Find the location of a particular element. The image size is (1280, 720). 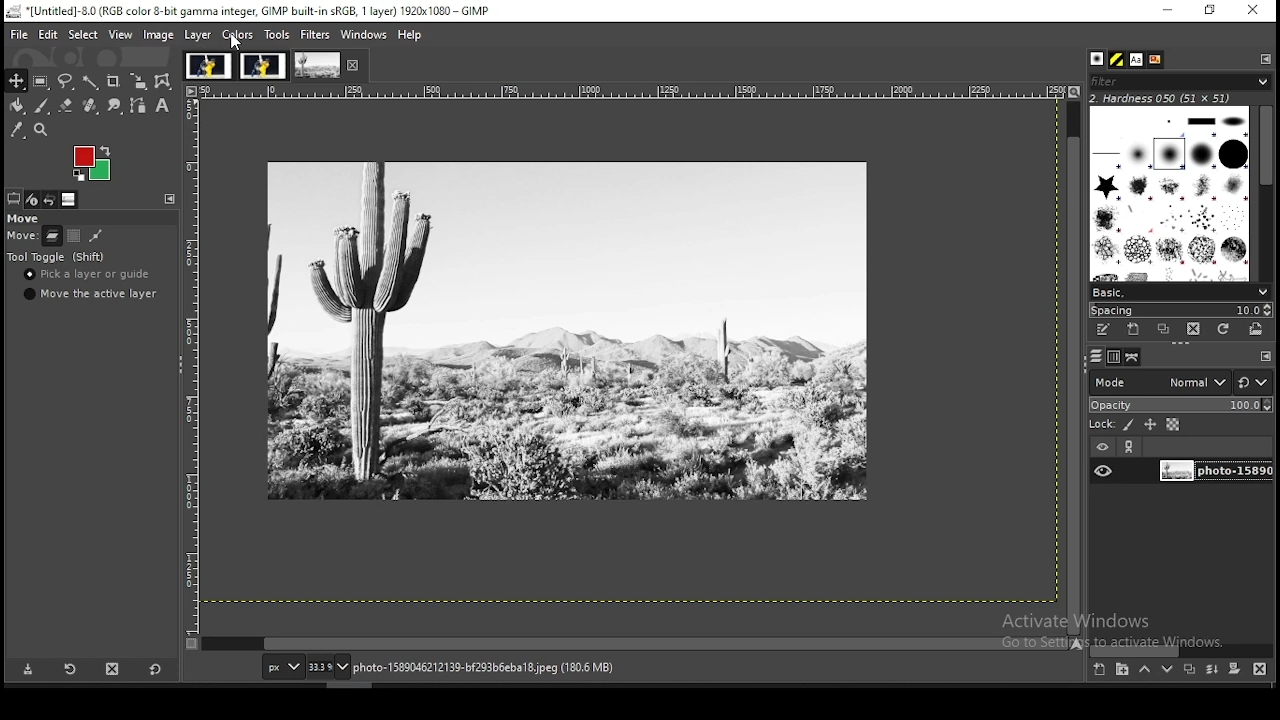

move the active layer is located at coordinates (94, 293).